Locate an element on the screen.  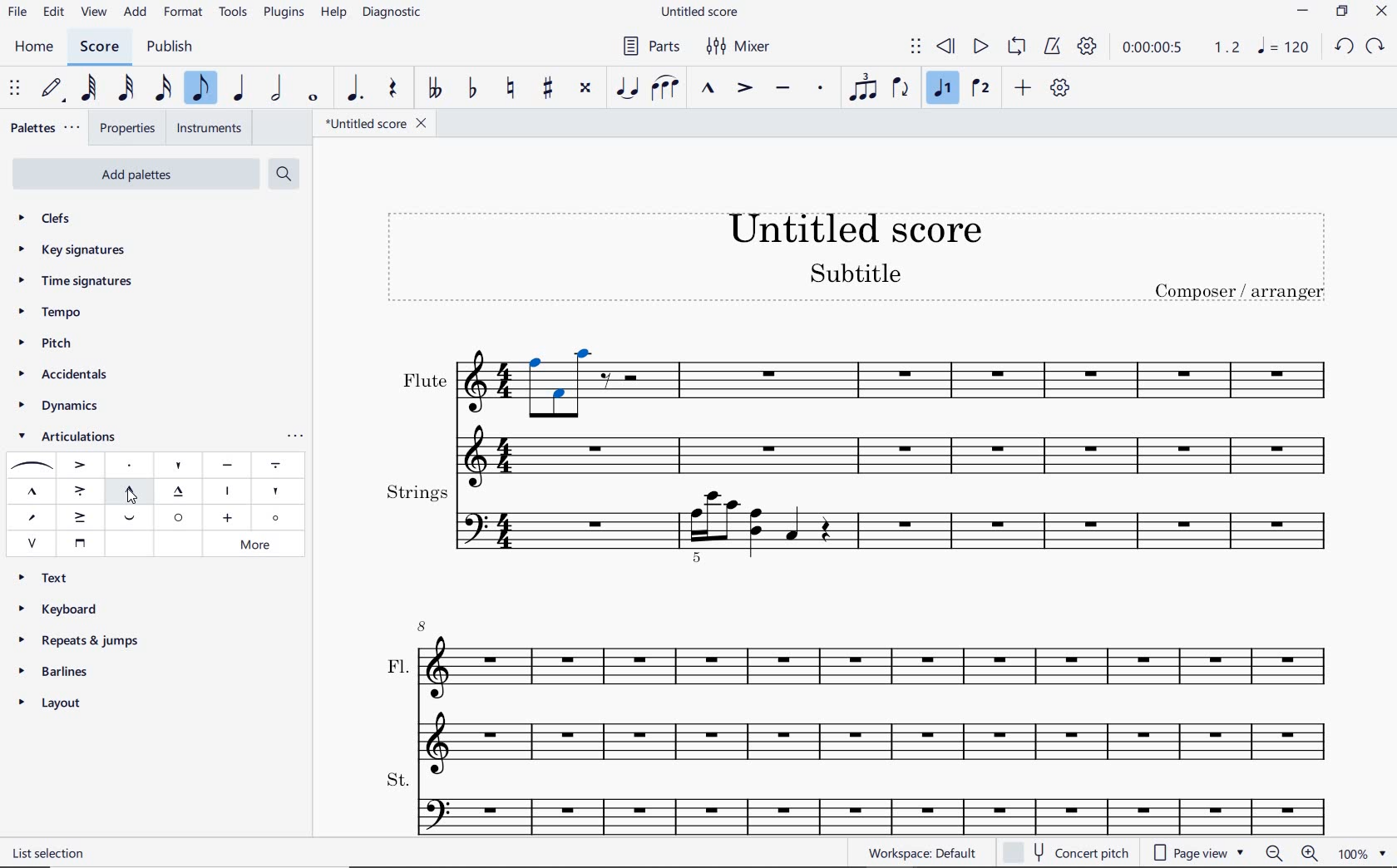
DOWN BOW is located at coordinates (78, 542).